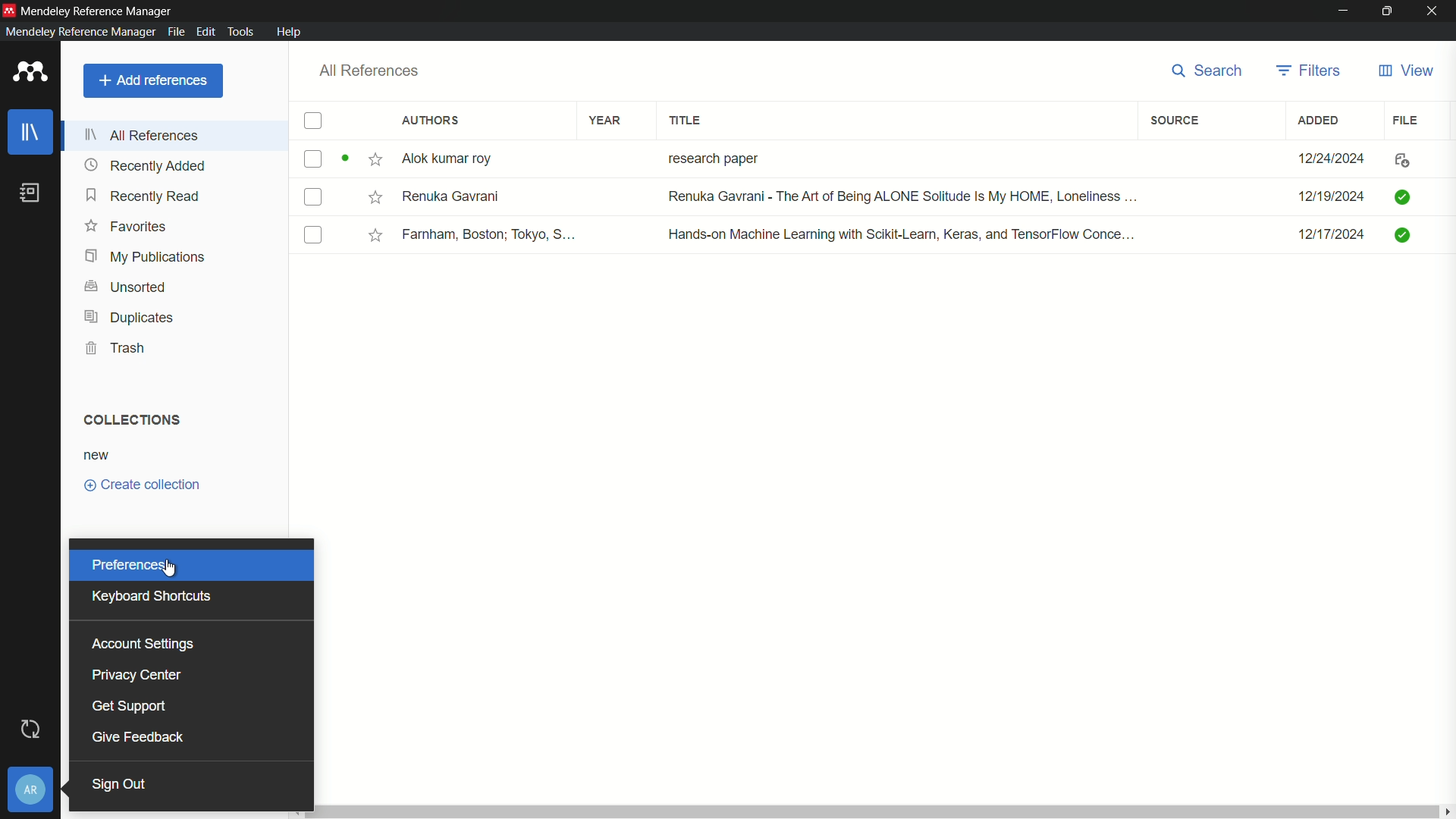 Image resolution: width=1456 pixels, height=819 pixels. I want to click on , so click(370, 231).